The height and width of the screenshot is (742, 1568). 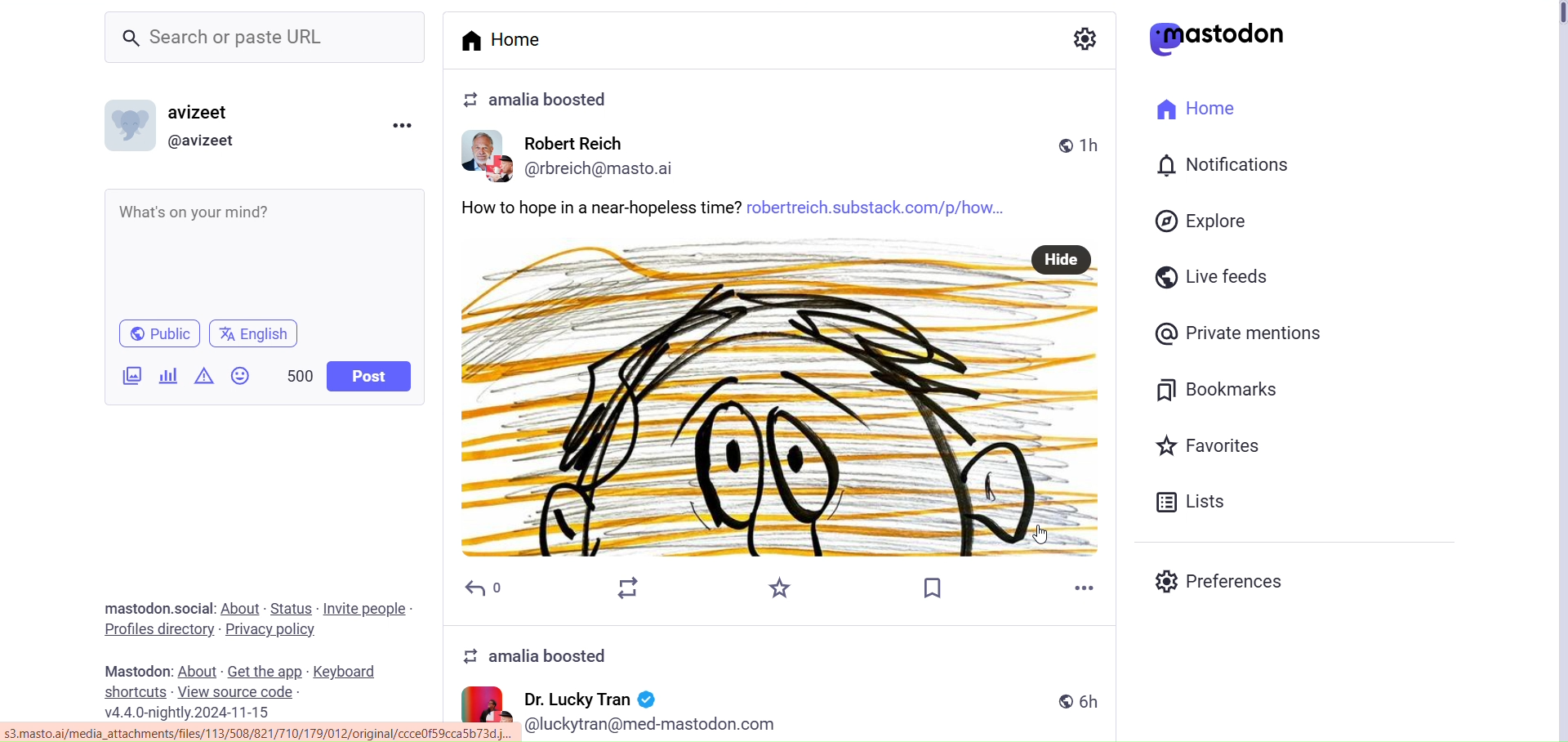 What do you see at coordinates (273, 628) in the screenshot?
I see `Privacy Policy` at bounding box center [273, 628].